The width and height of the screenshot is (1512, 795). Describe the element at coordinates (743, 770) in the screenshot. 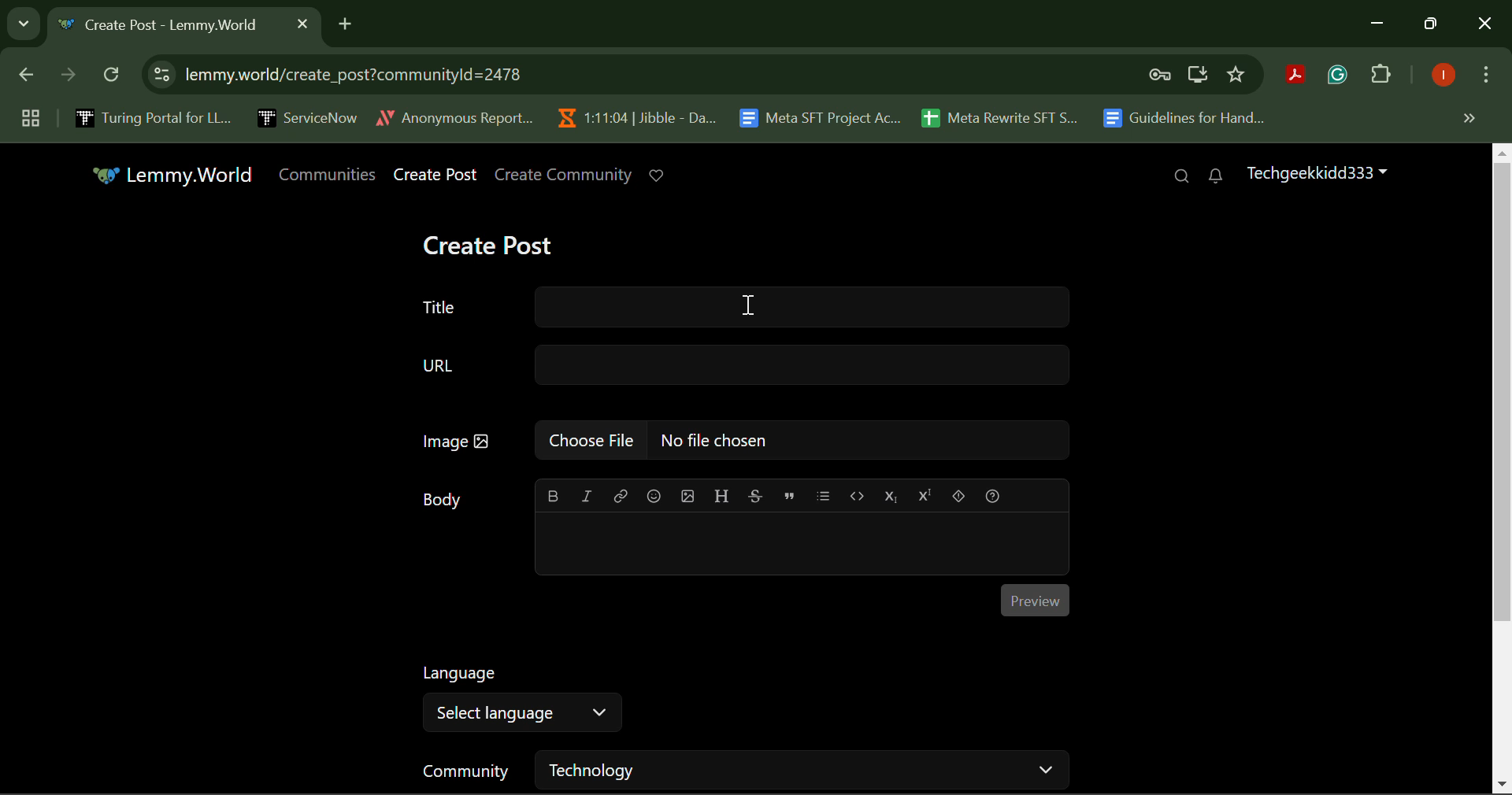

I see `Community Selection Filter ` at that location.